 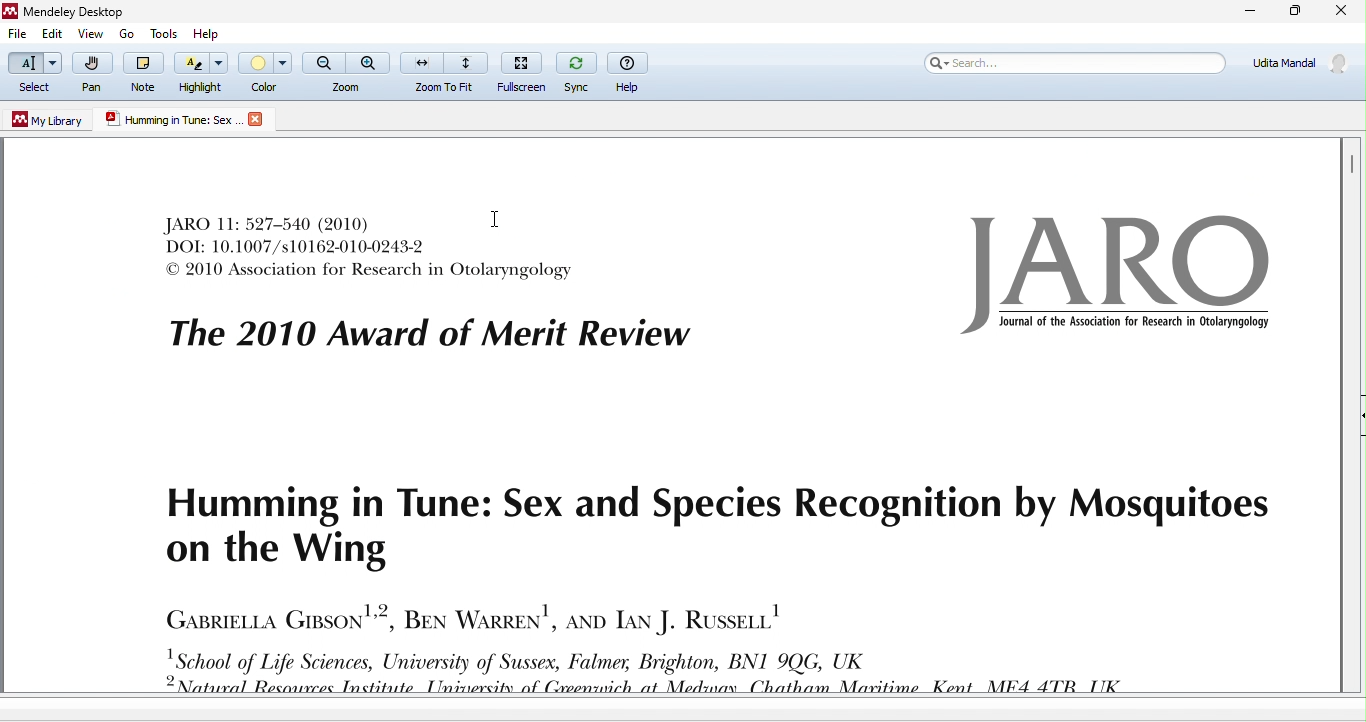 What do you see at coordinates (1340, 12) in the screenshot?
I see `close` at bounding box center [1340, 12].